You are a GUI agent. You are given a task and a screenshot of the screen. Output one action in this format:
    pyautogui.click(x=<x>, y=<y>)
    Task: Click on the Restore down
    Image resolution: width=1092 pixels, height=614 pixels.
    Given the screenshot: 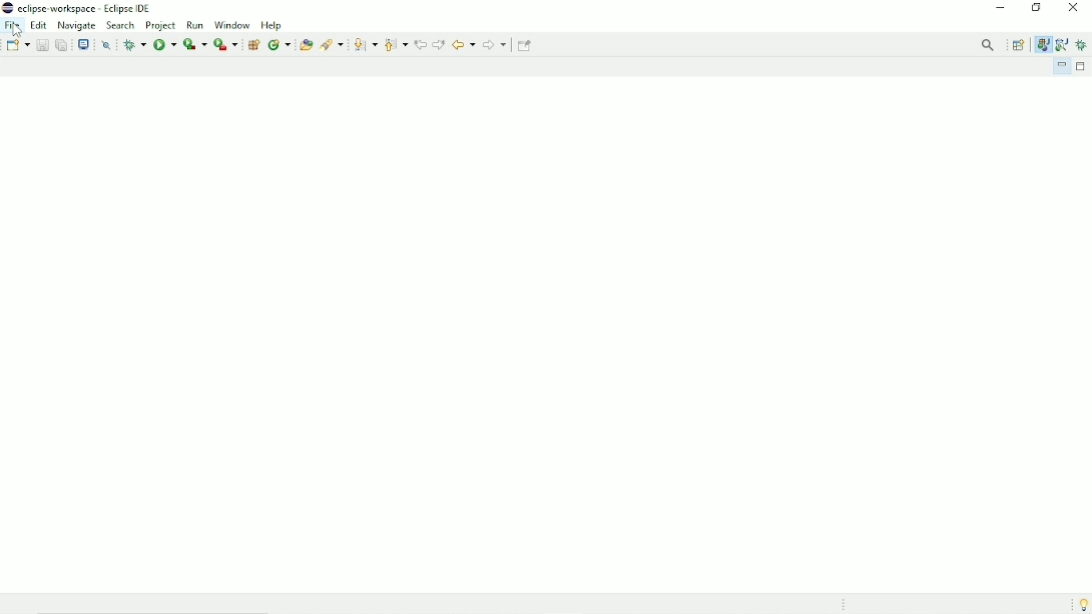 What is the action you would take?
    pyautogui.click(x=1034, y=10)
    